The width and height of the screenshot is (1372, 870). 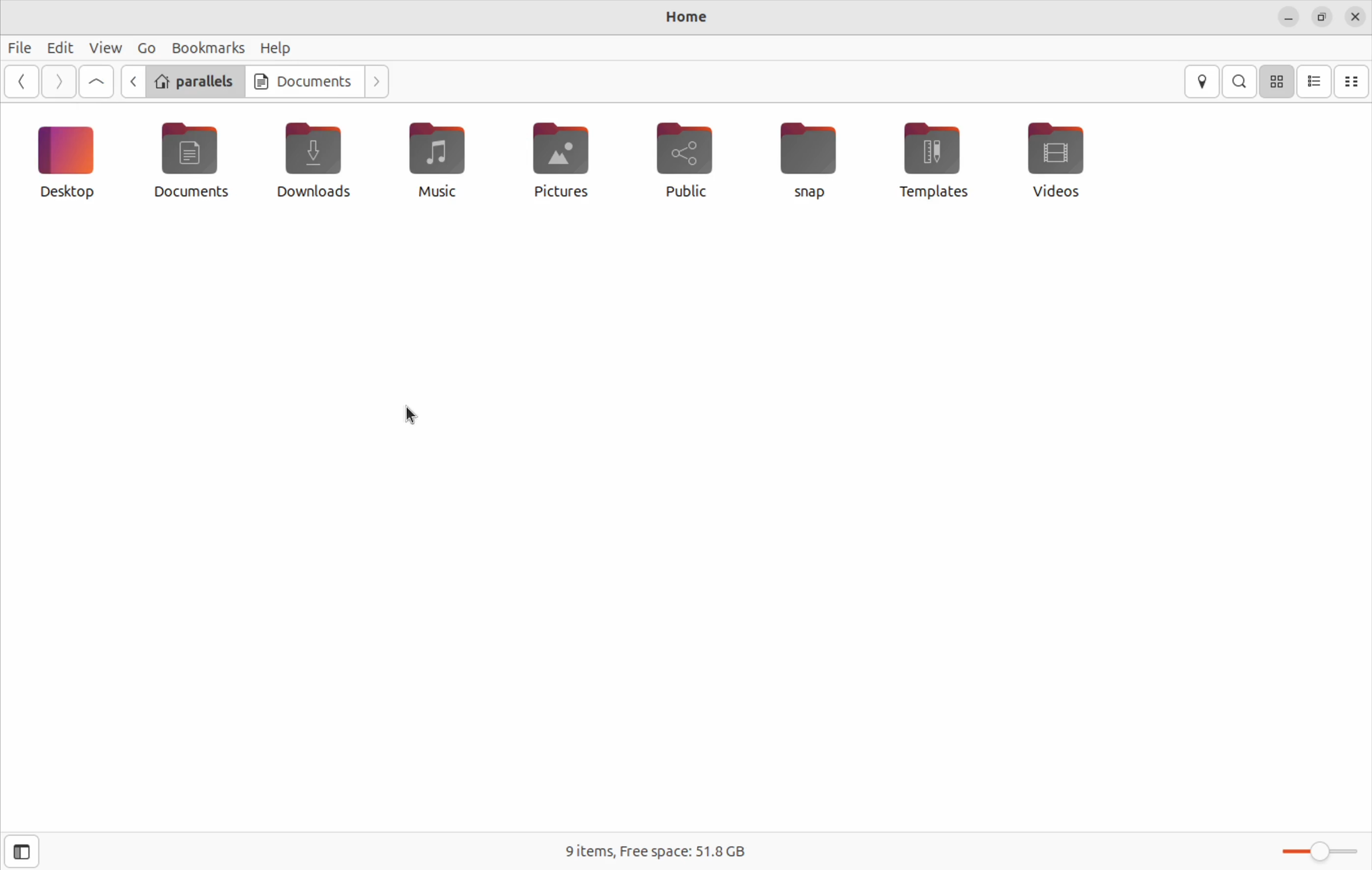 What do you see at coordinates (1290, 16) in the screenshot?
I see `minimize` at bounding box center [1290, 16].